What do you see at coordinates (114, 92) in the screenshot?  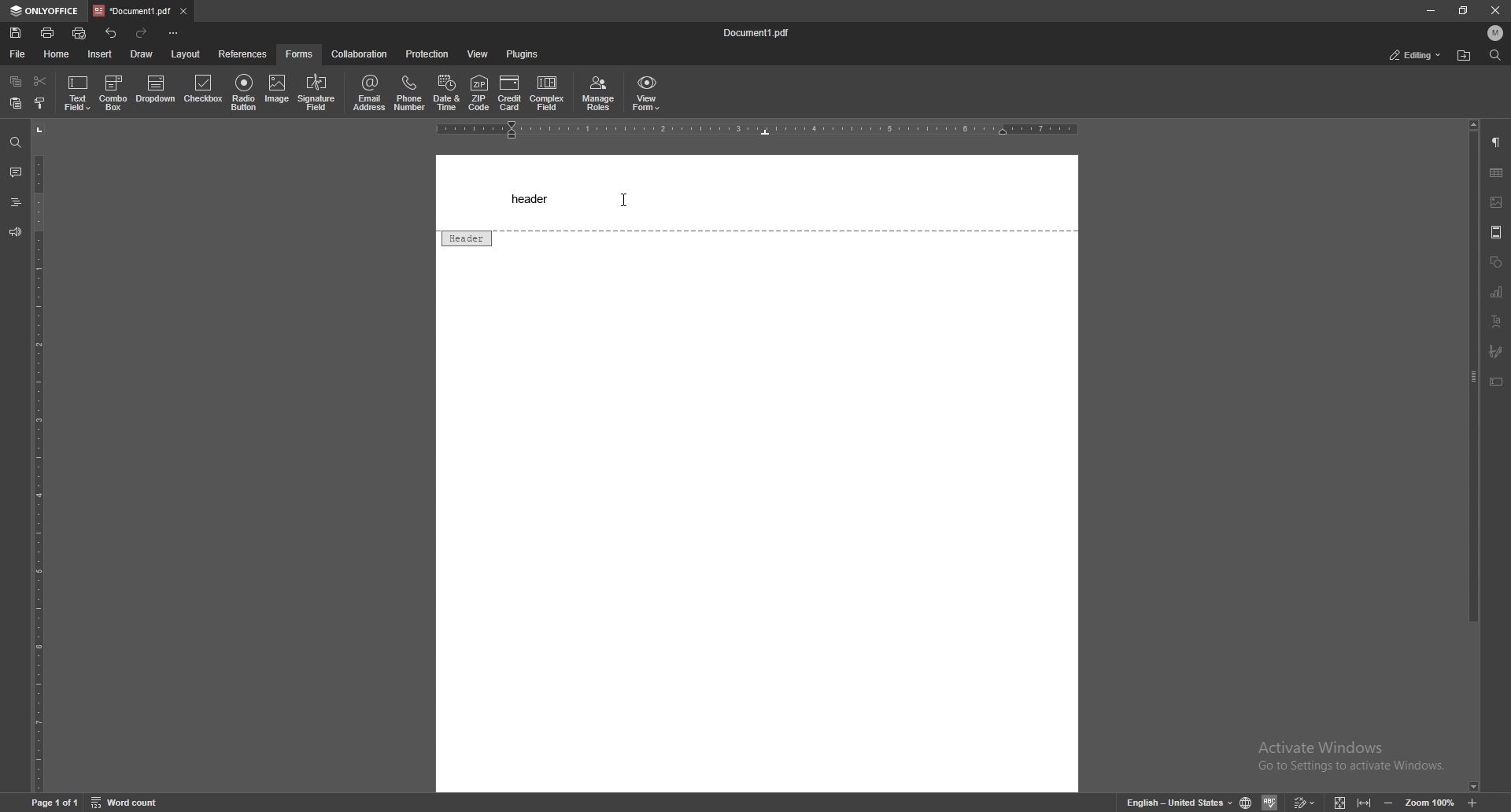 I see `combo box` at bounding box center [114, 92].